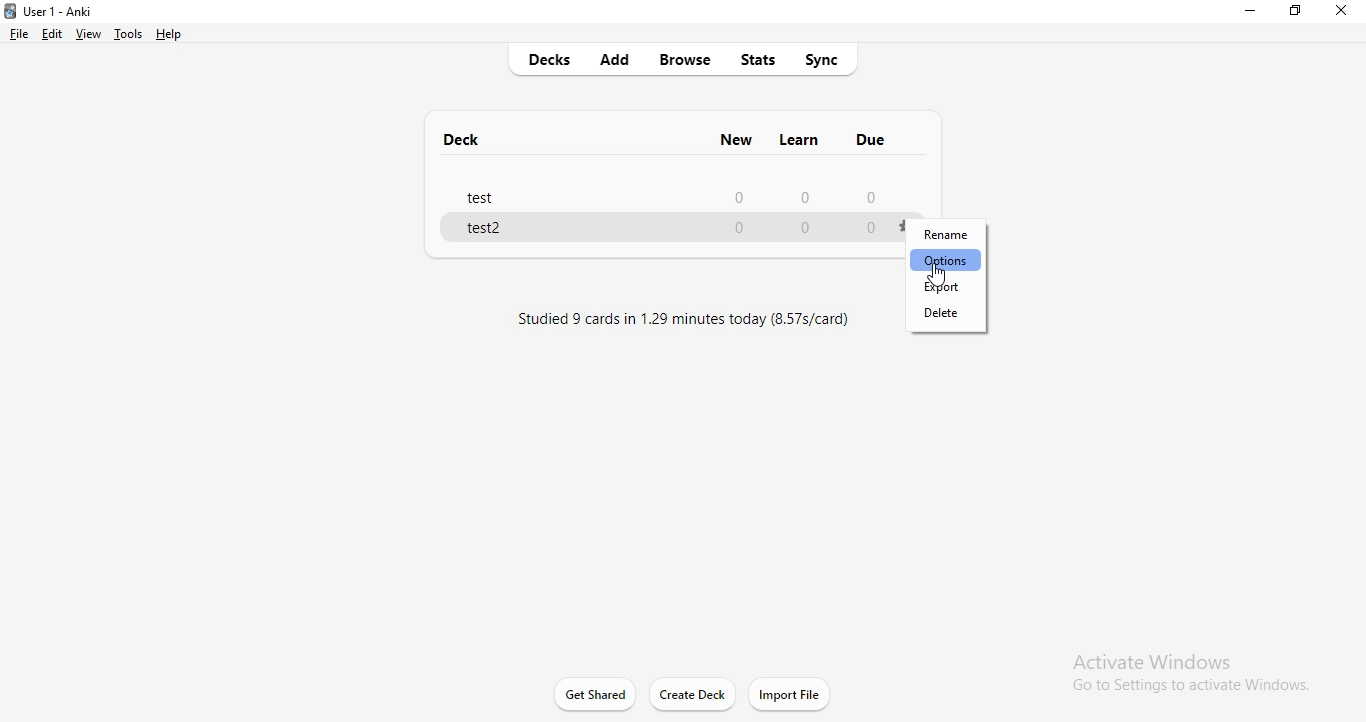 This screenshot has width=1366, height=722. I want to click on export, so click(938, 286).